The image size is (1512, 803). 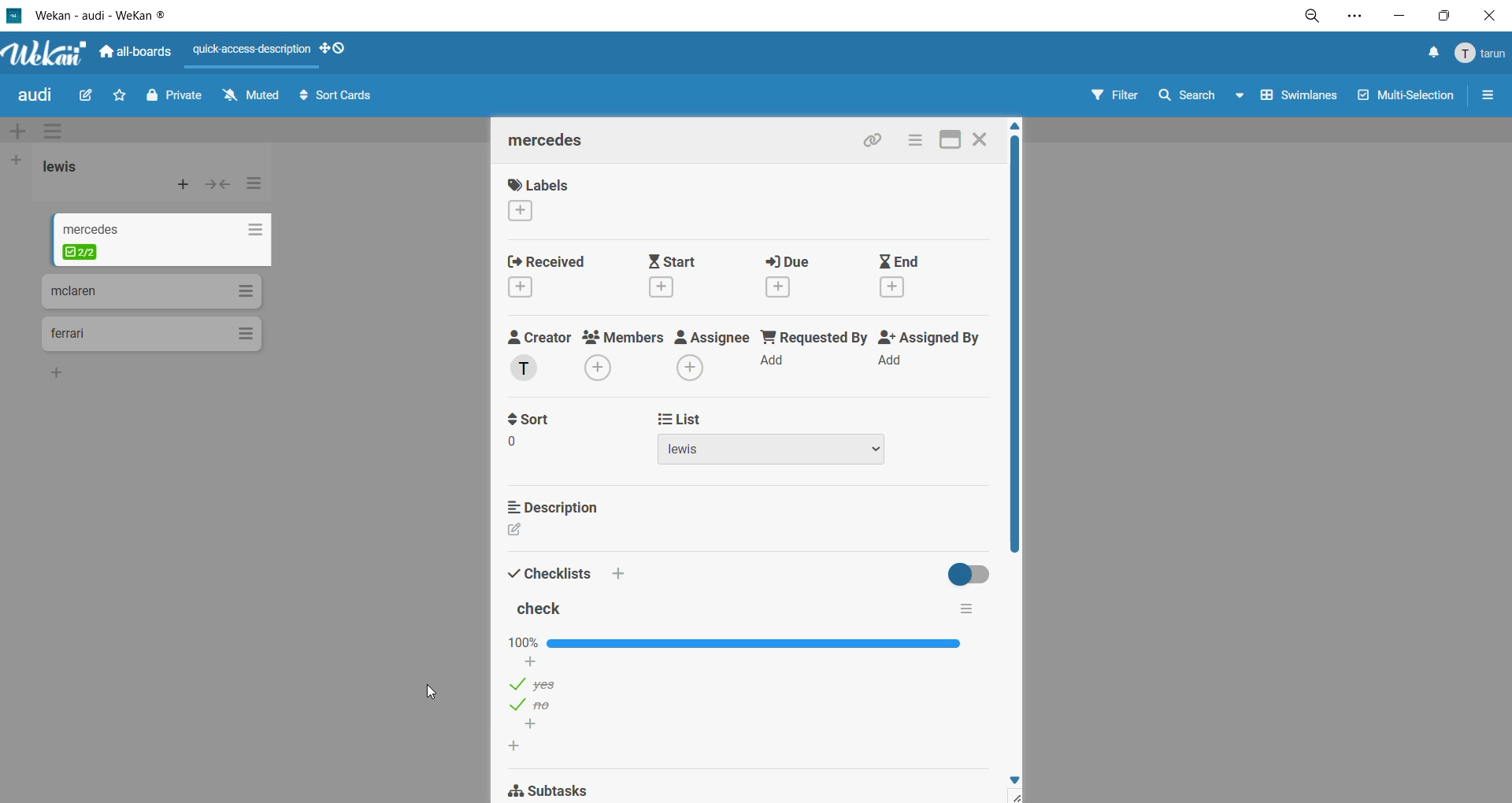 I want to click on app logo, so click(x=48, y=54).